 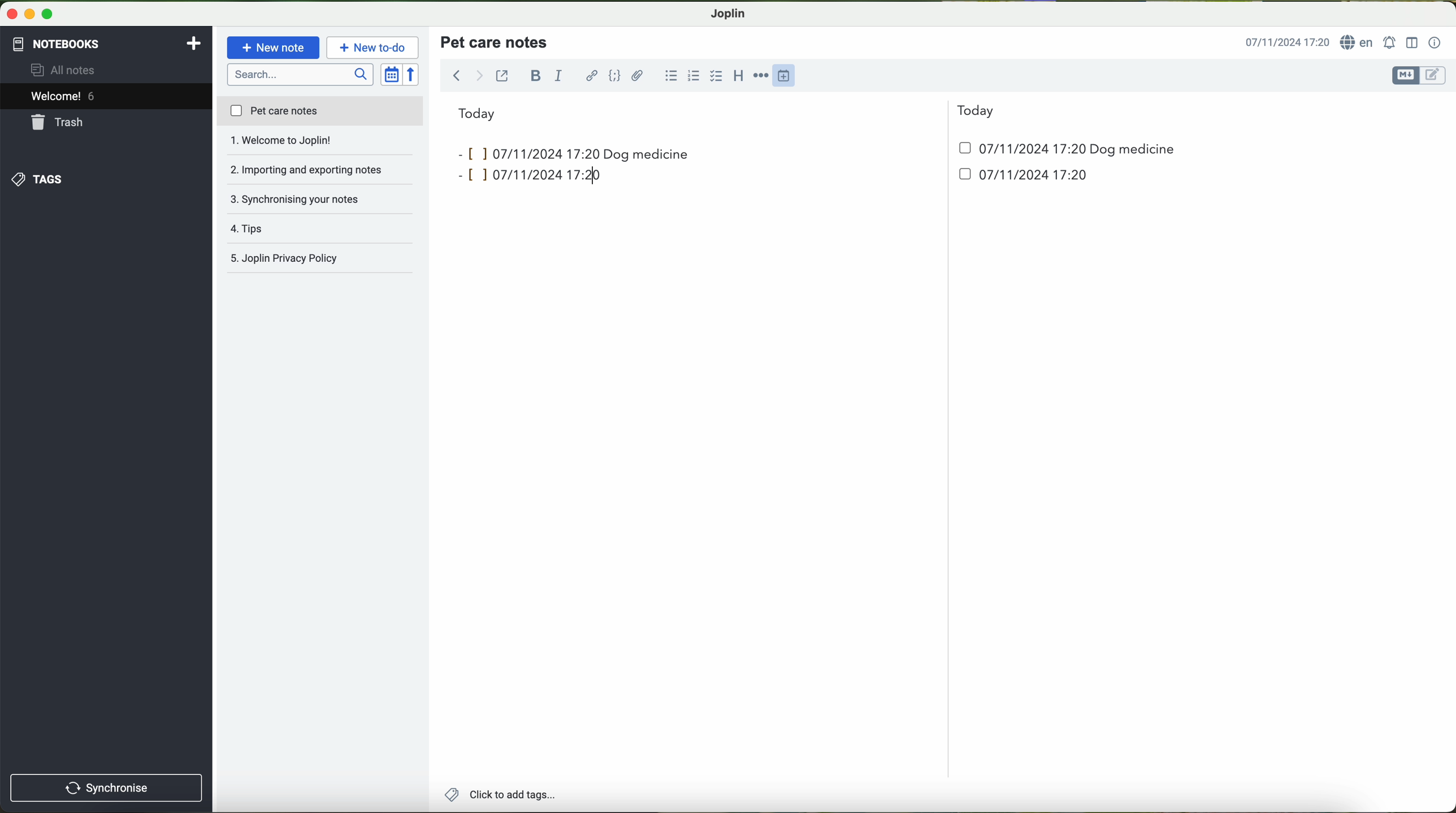 What do you see at coordinates (374, 48) in the screenshot?
I see `cursor on new to-do button ` at bounding box center [374, 48].